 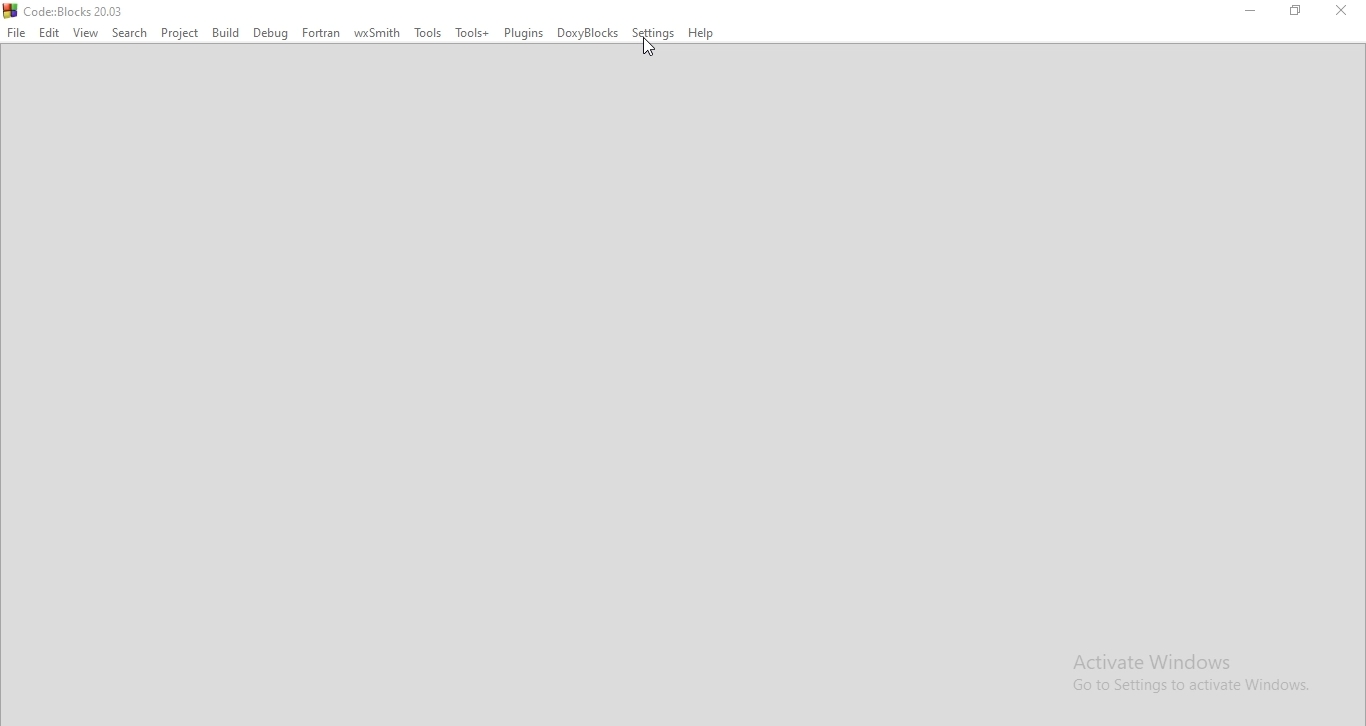 I want to click on close, so click(x=1346, y=14).